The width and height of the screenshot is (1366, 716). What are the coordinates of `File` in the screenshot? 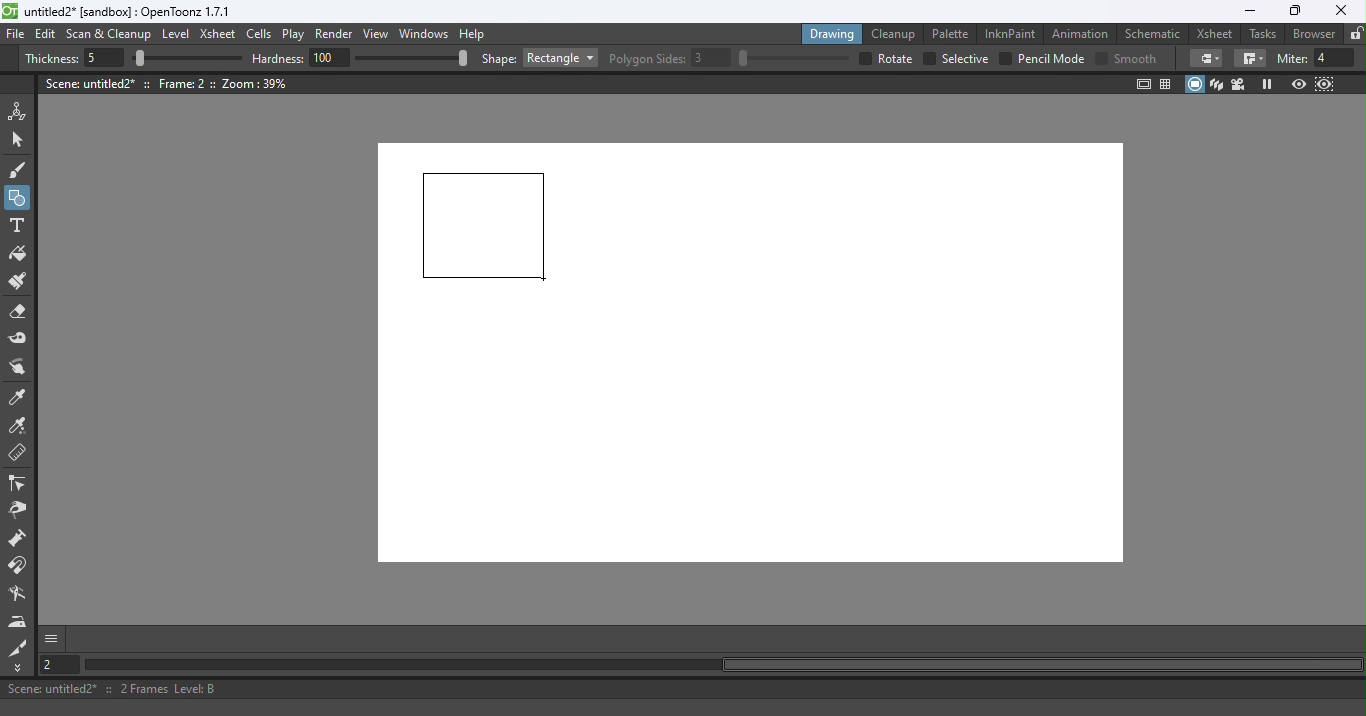 It's located at (16, 35).